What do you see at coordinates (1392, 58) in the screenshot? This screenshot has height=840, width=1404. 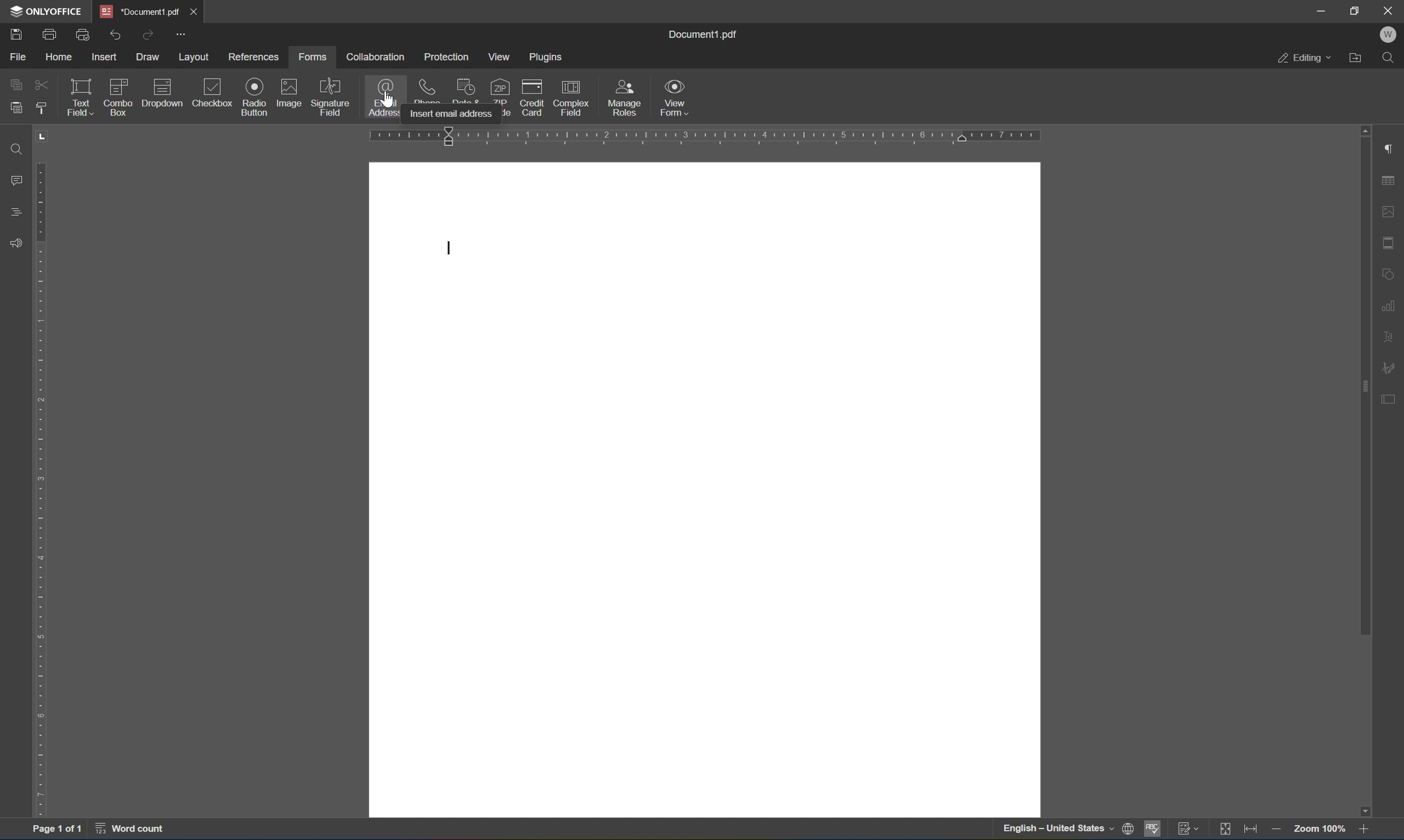 I see `find` at bounding box center [1392, 58].